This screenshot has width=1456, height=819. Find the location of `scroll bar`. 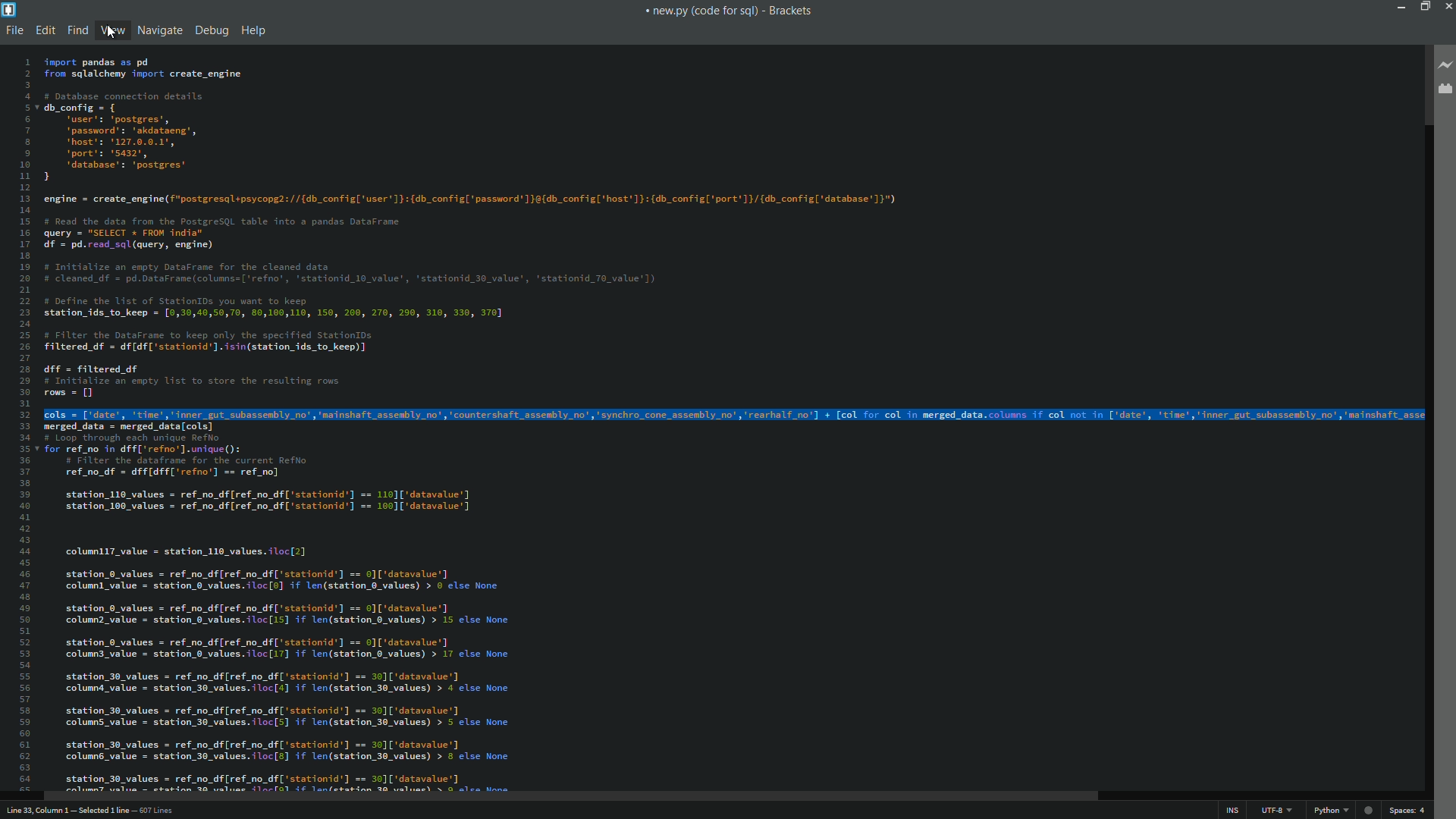

scroll bar is located at coordinates (573, 797).